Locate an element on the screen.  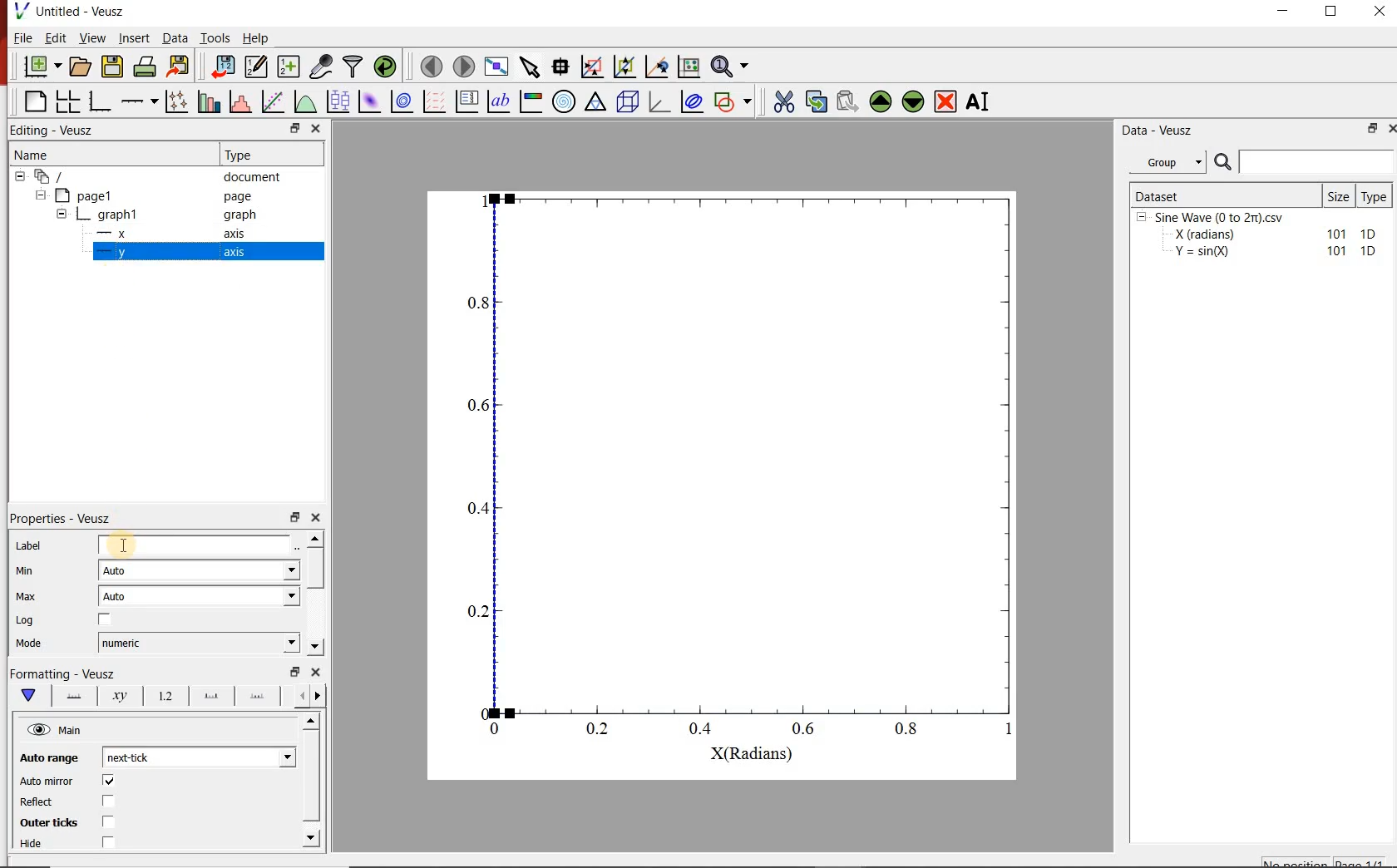
Checkbox is located at coordinates (106, 620).